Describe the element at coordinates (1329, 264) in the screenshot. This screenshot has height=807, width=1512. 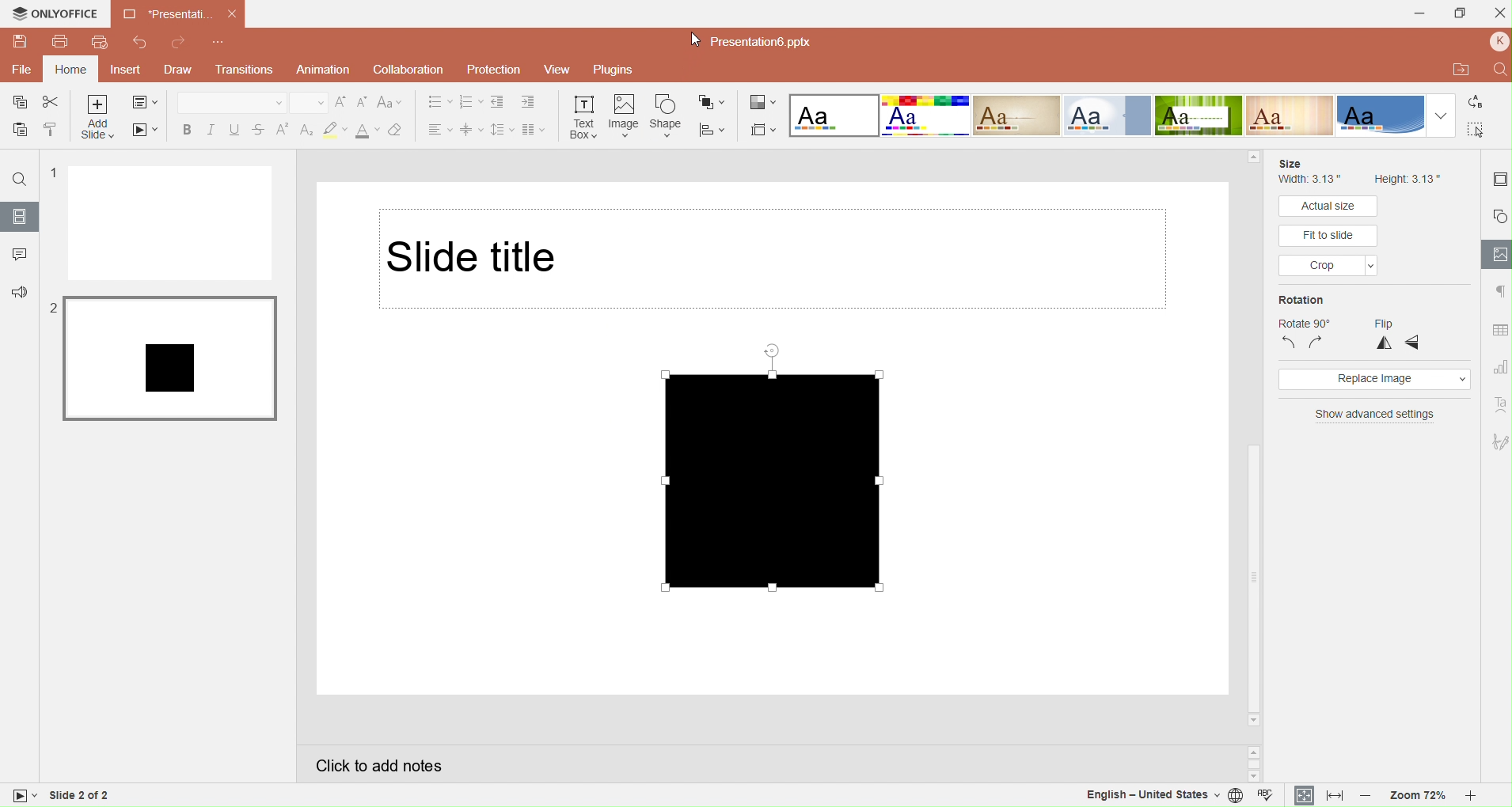
I see `crop` at that location.